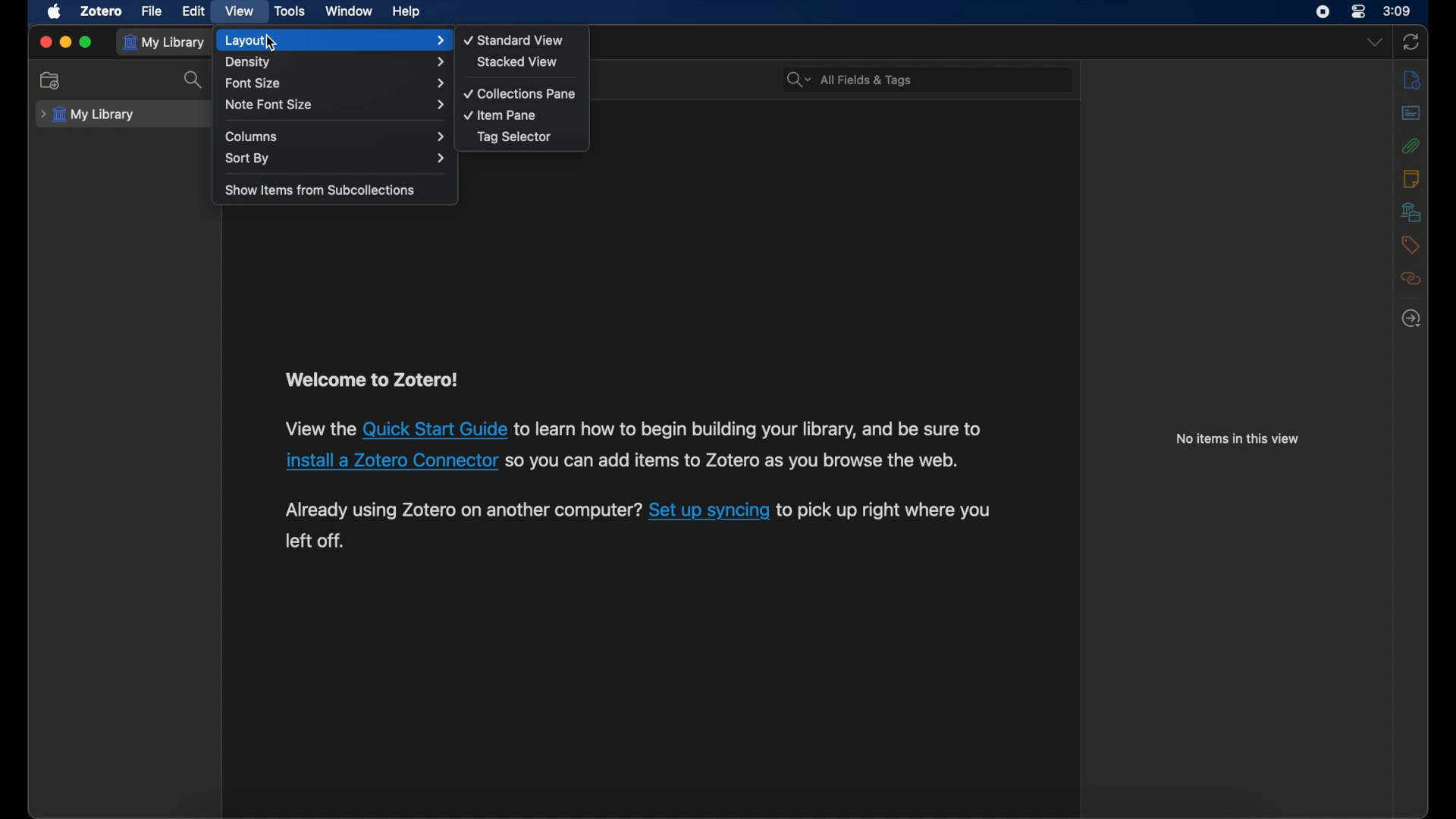  What do you see at coordinates (639, 460) in the screenshot?
I see `paragraph describing instructions to use zotero software` at bounding box center [639, 460].